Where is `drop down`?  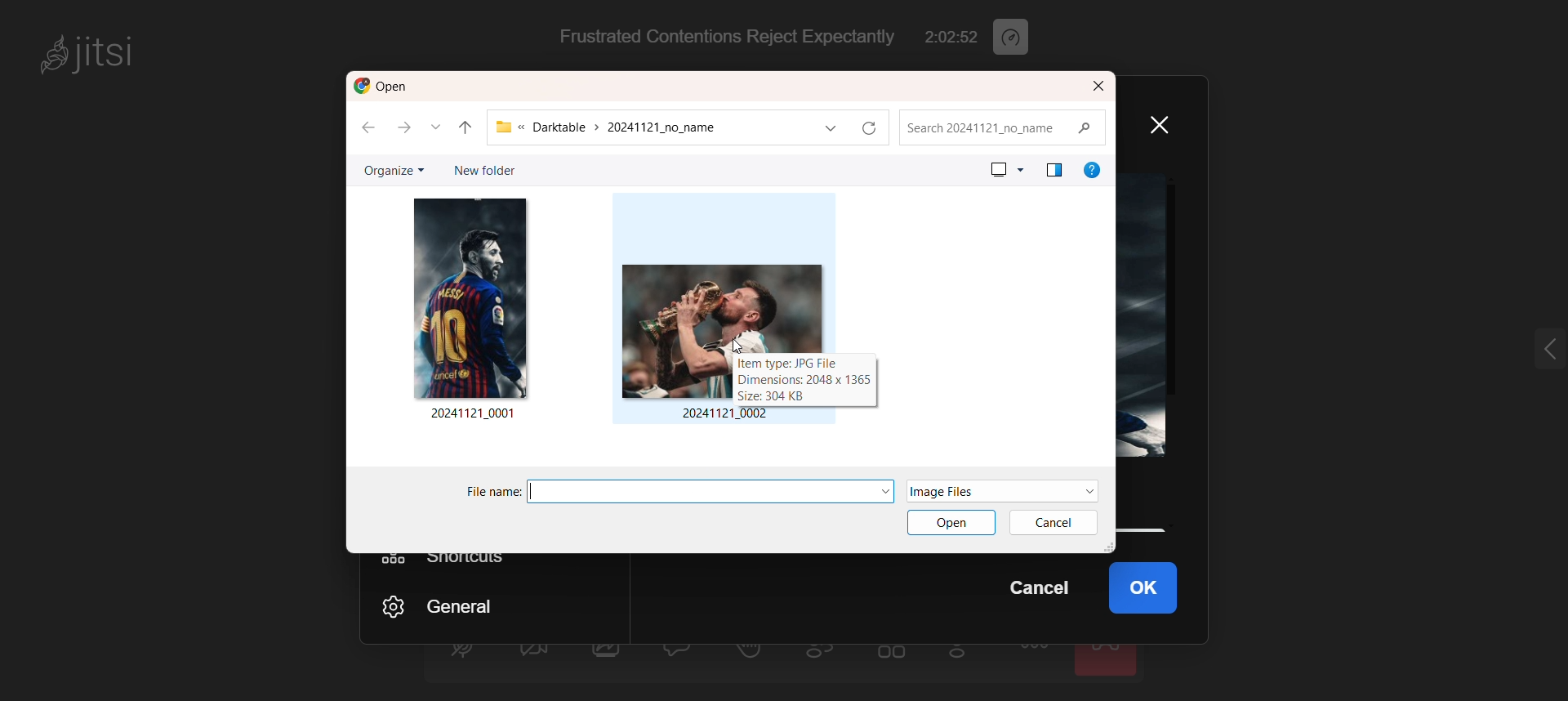 drop down is located at coordinates (830, 128).